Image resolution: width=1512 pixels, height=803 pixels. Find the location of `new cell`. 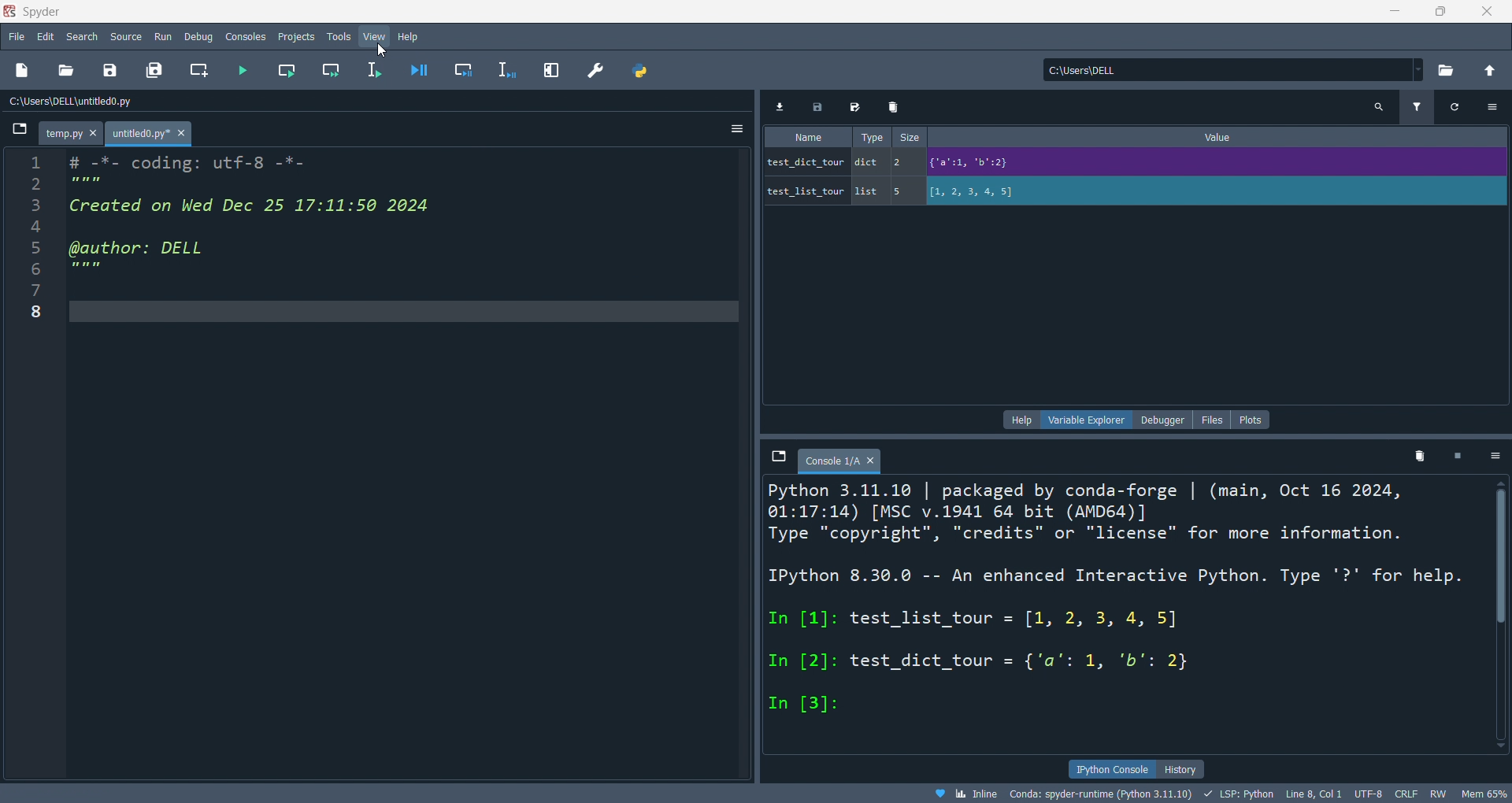

new cell is located at coordinates (197, 69).